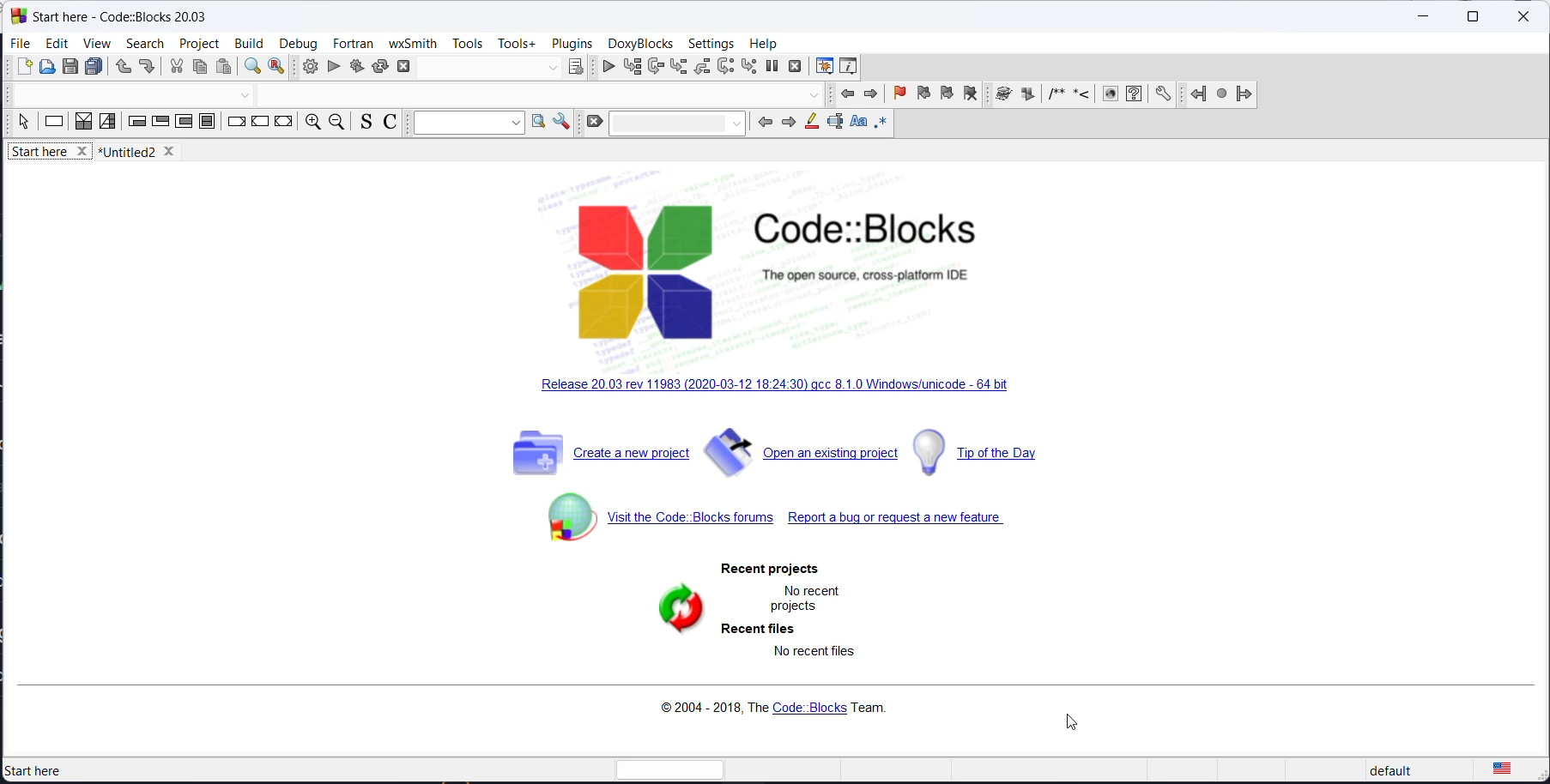  I want to click on option window, so click(538, 124).